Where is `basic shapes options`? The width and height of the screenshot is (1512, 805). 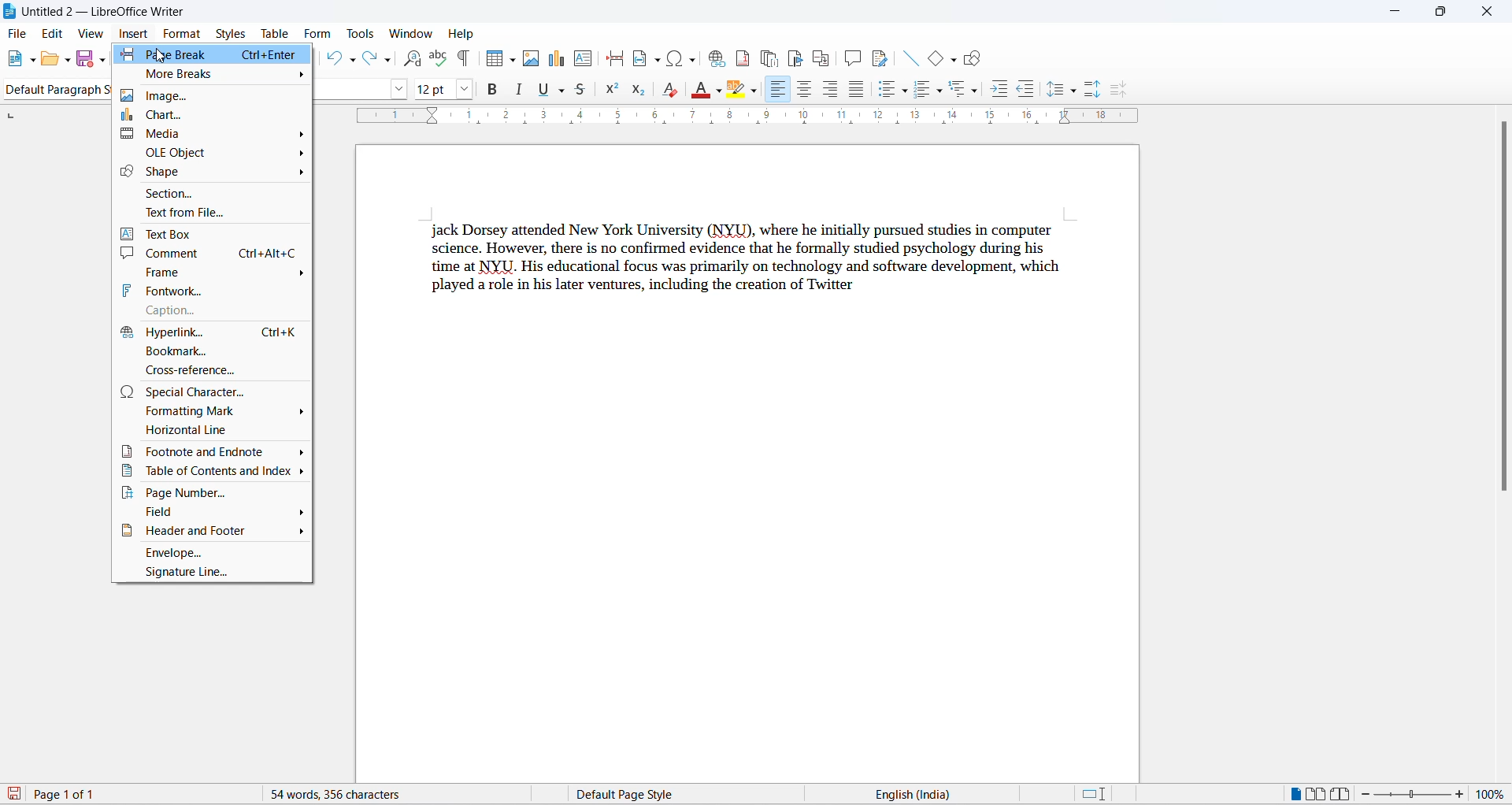 basic shapes options is located at coordinates (954, 61).